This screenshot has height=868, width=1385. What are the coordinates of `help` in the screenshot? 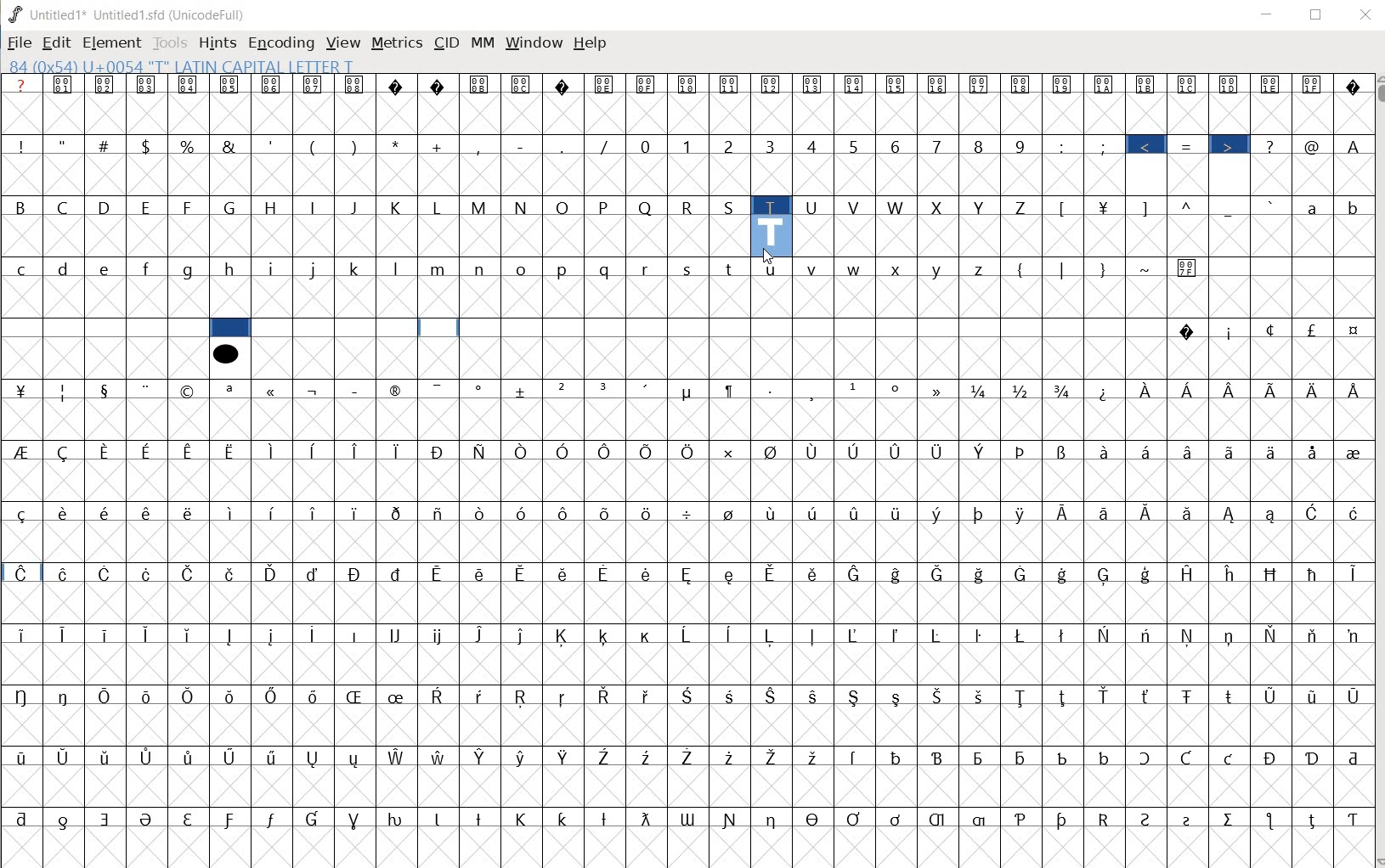 It's located at (590, 42).